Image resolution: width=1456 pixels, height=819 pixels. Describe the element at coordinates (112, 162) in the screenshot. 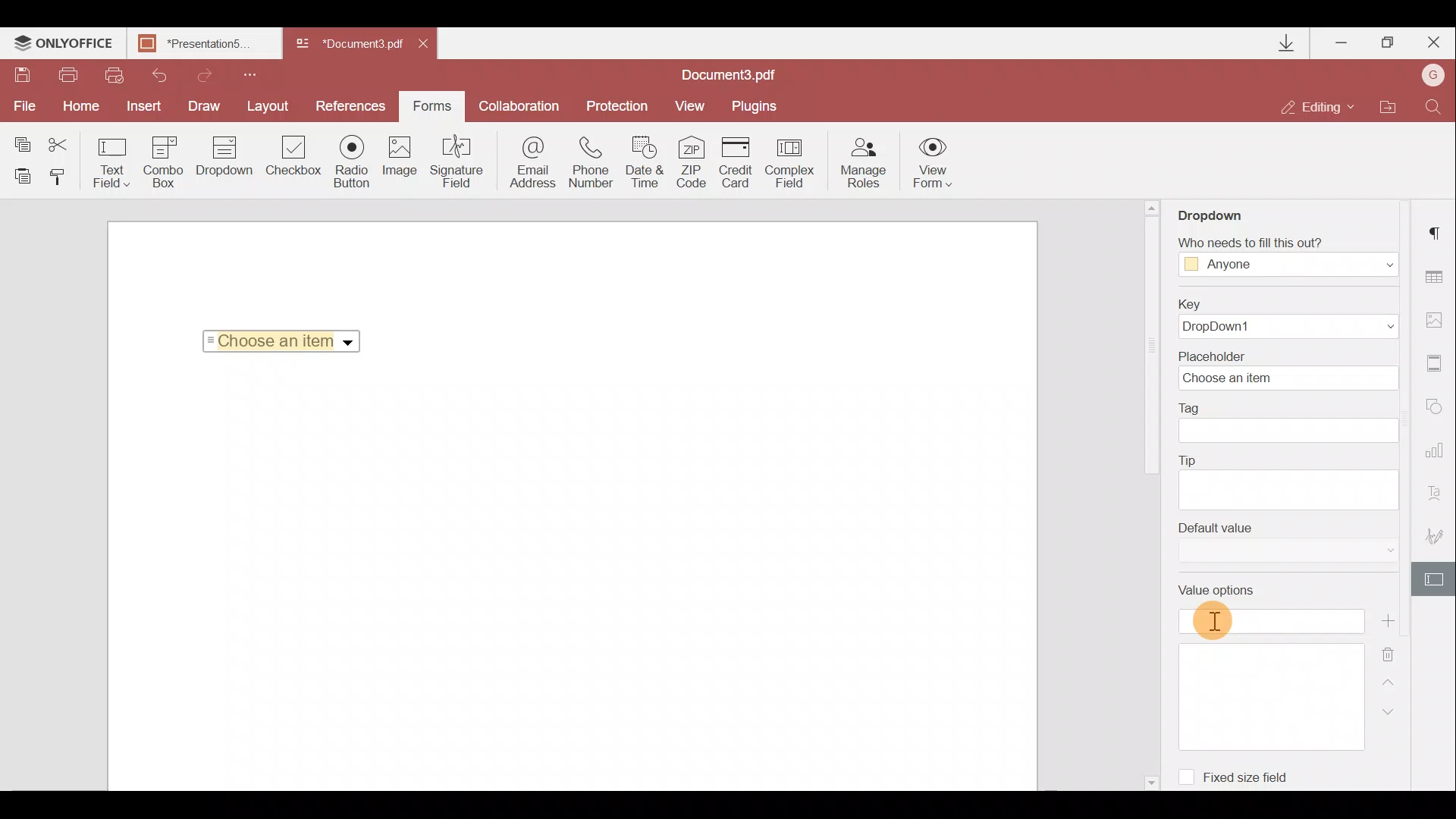

I see `Text field` at that location.